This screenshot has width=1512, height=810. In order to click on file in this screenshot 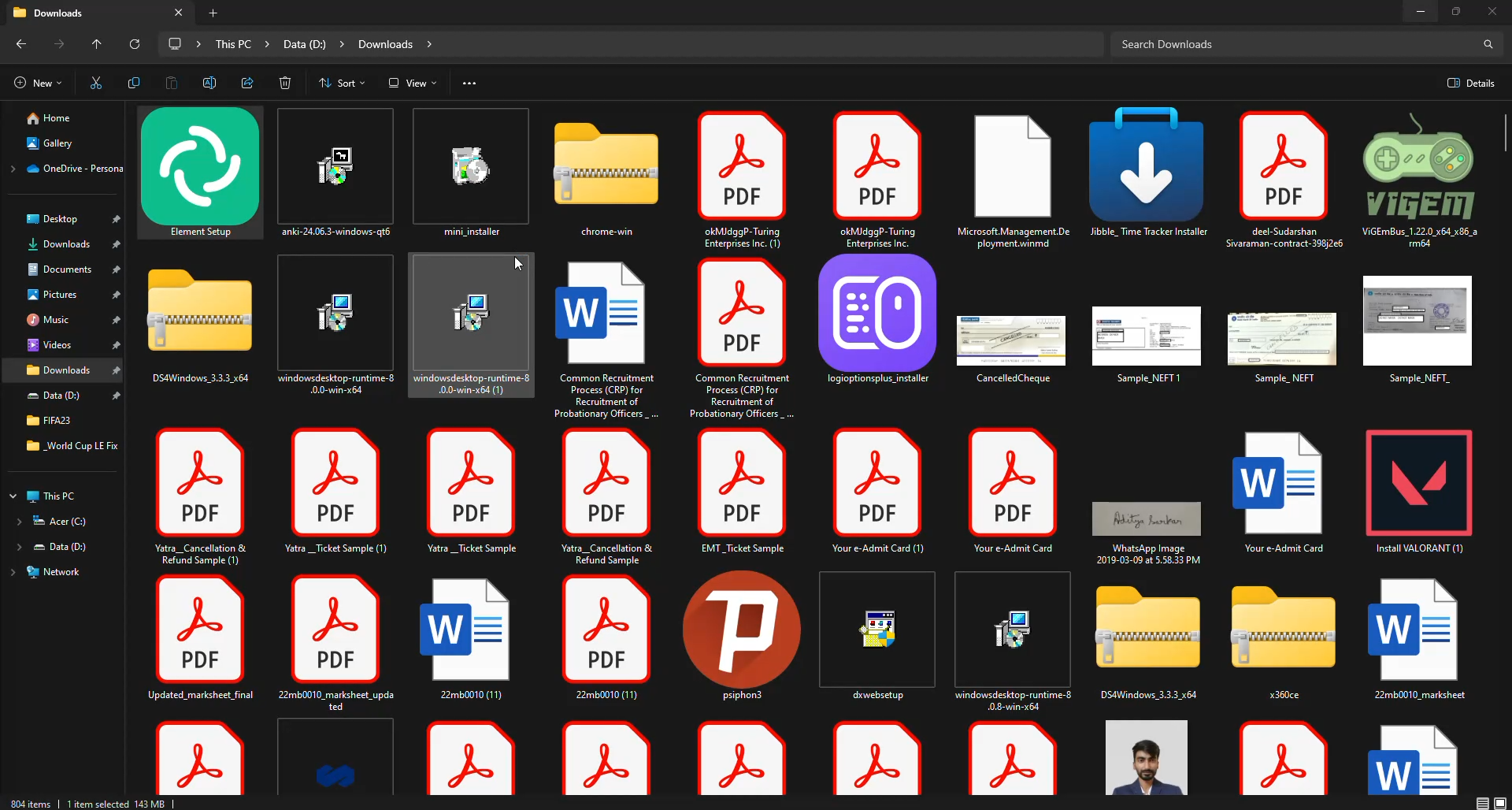, I will do `click(345, 489)`.